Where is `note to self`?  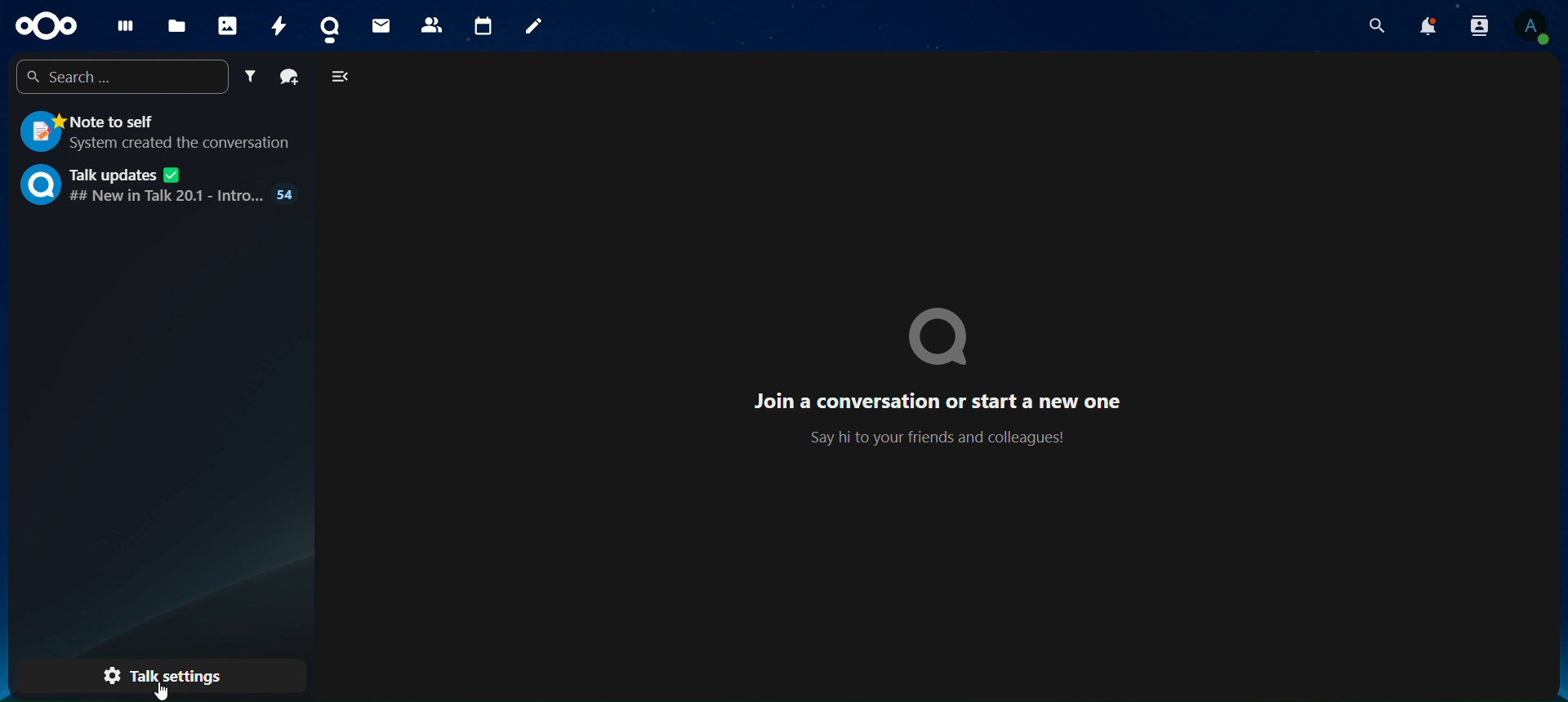 note to self is located at coordinates (154, 133).